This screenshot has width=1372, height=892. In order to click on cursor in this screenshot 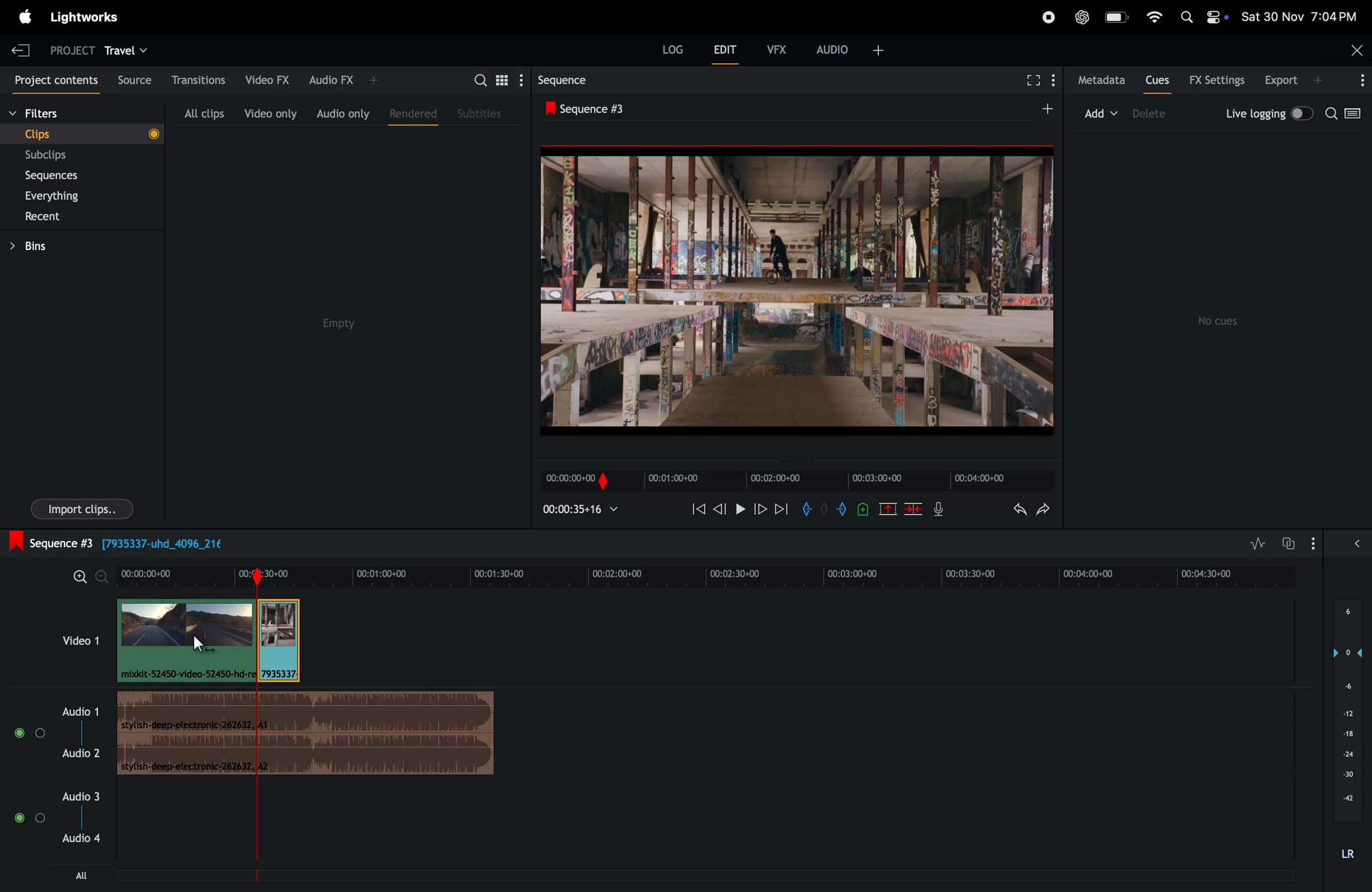, I will do `click(199, 644)`.